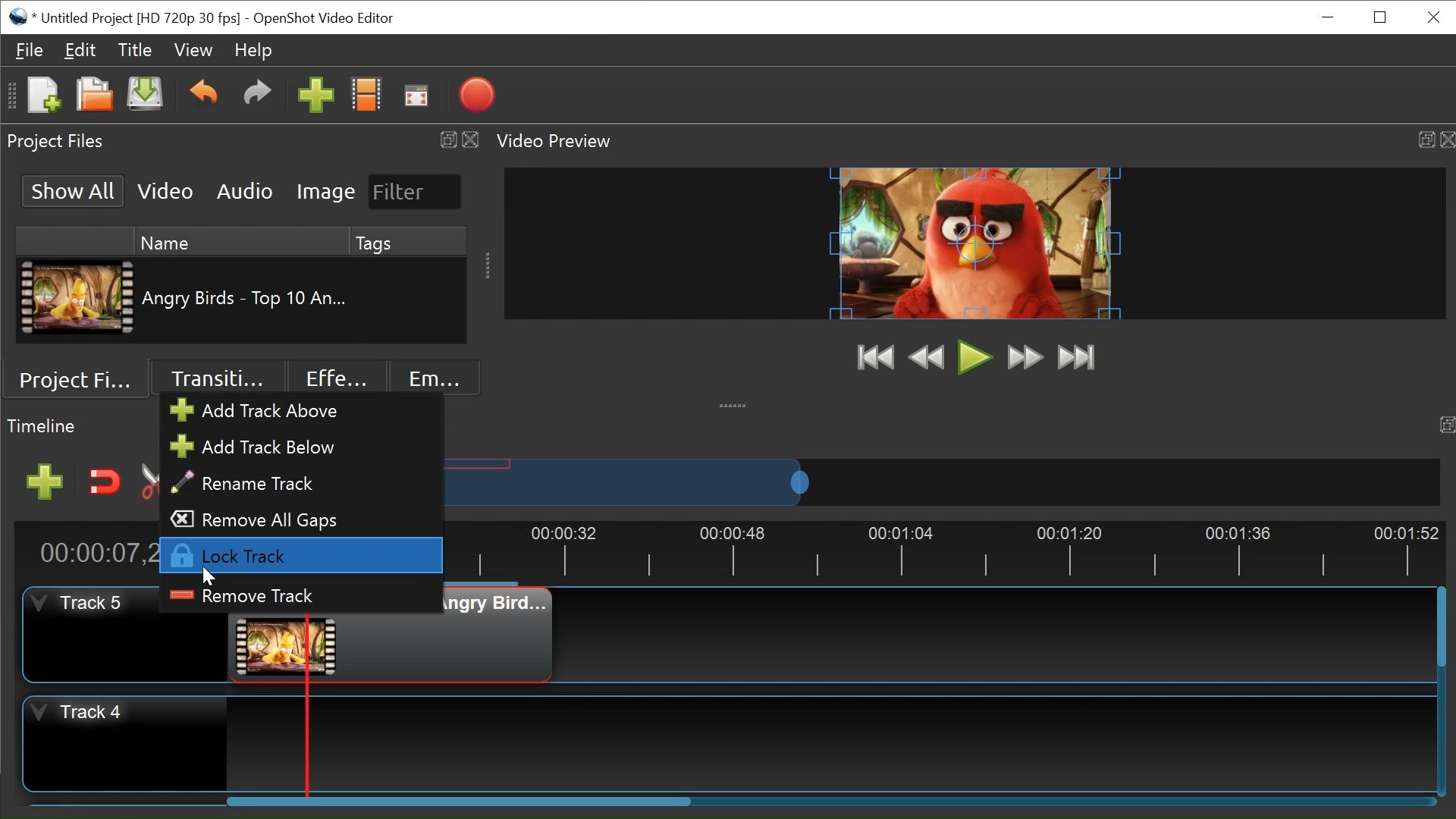 Image resolution: width=1456 pixels, height=819 pixels. Describe the element at coordinates (418, 96) in the screenshot. I see `Fullscreen` at that location.